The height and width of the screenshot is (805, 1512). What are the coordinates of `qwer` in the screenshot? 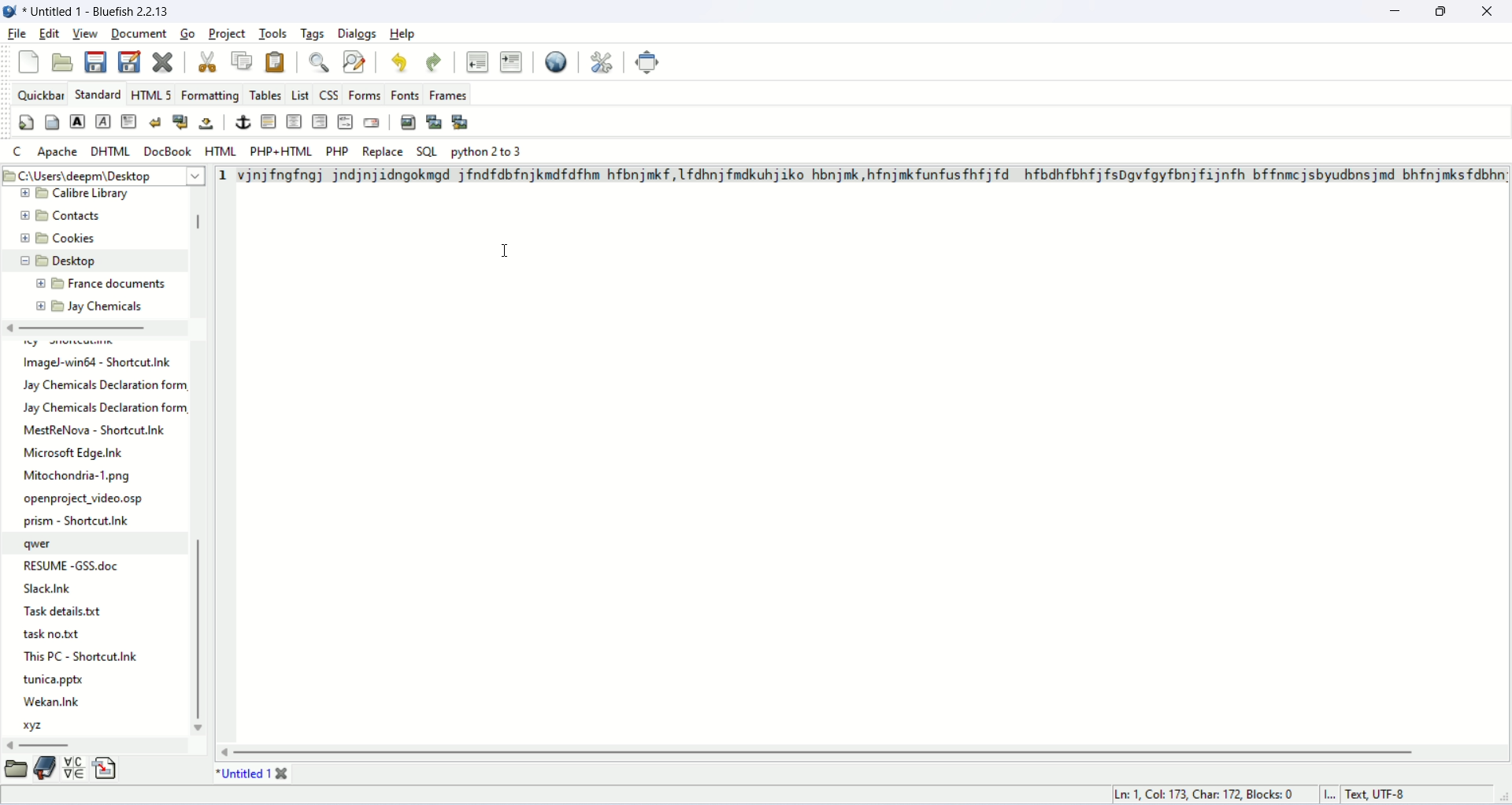 It's located at (45, 544).